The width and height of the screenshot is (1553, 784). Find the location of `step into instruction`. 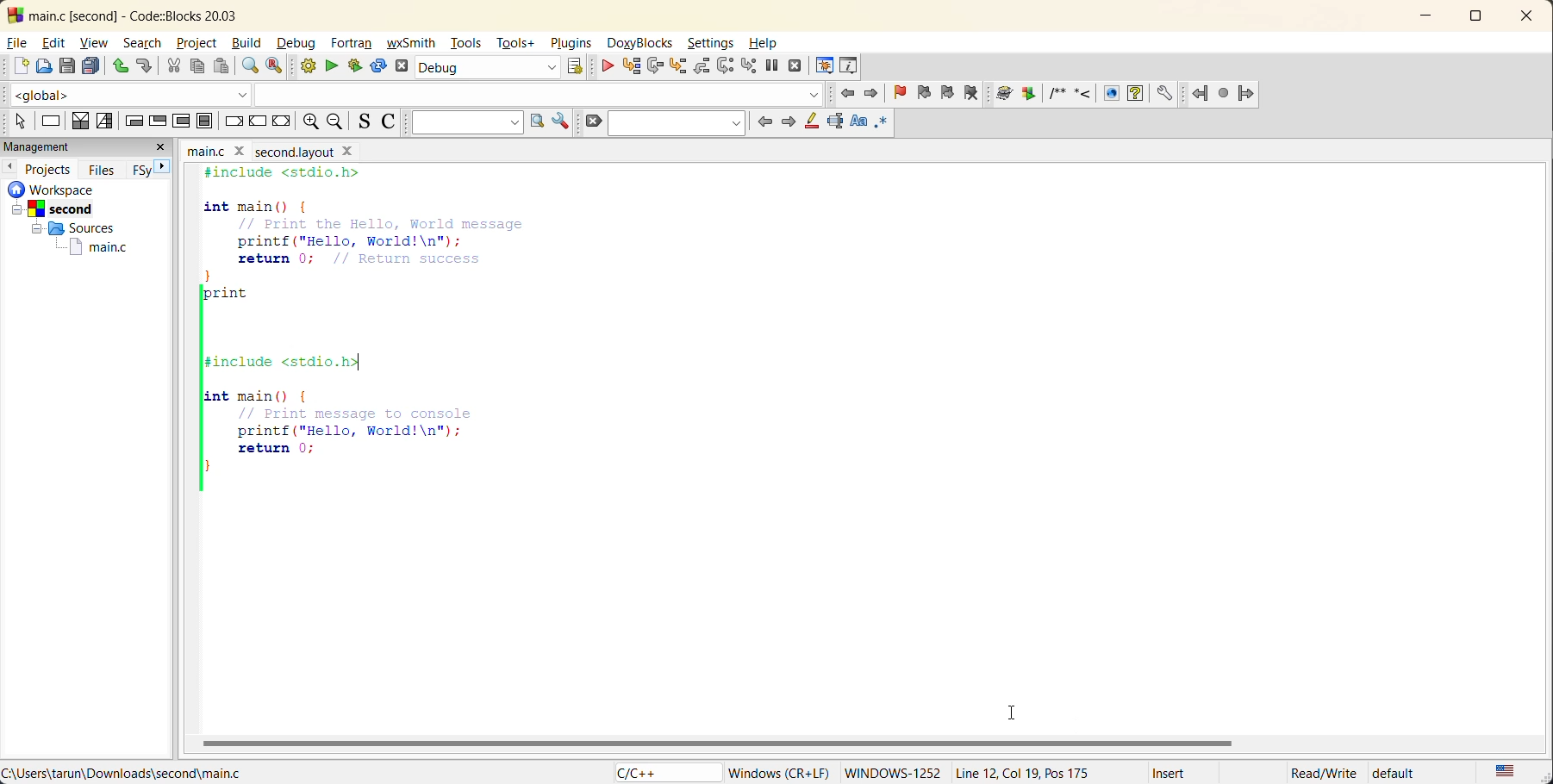

step into instruction is located at coordinates (752, 65).